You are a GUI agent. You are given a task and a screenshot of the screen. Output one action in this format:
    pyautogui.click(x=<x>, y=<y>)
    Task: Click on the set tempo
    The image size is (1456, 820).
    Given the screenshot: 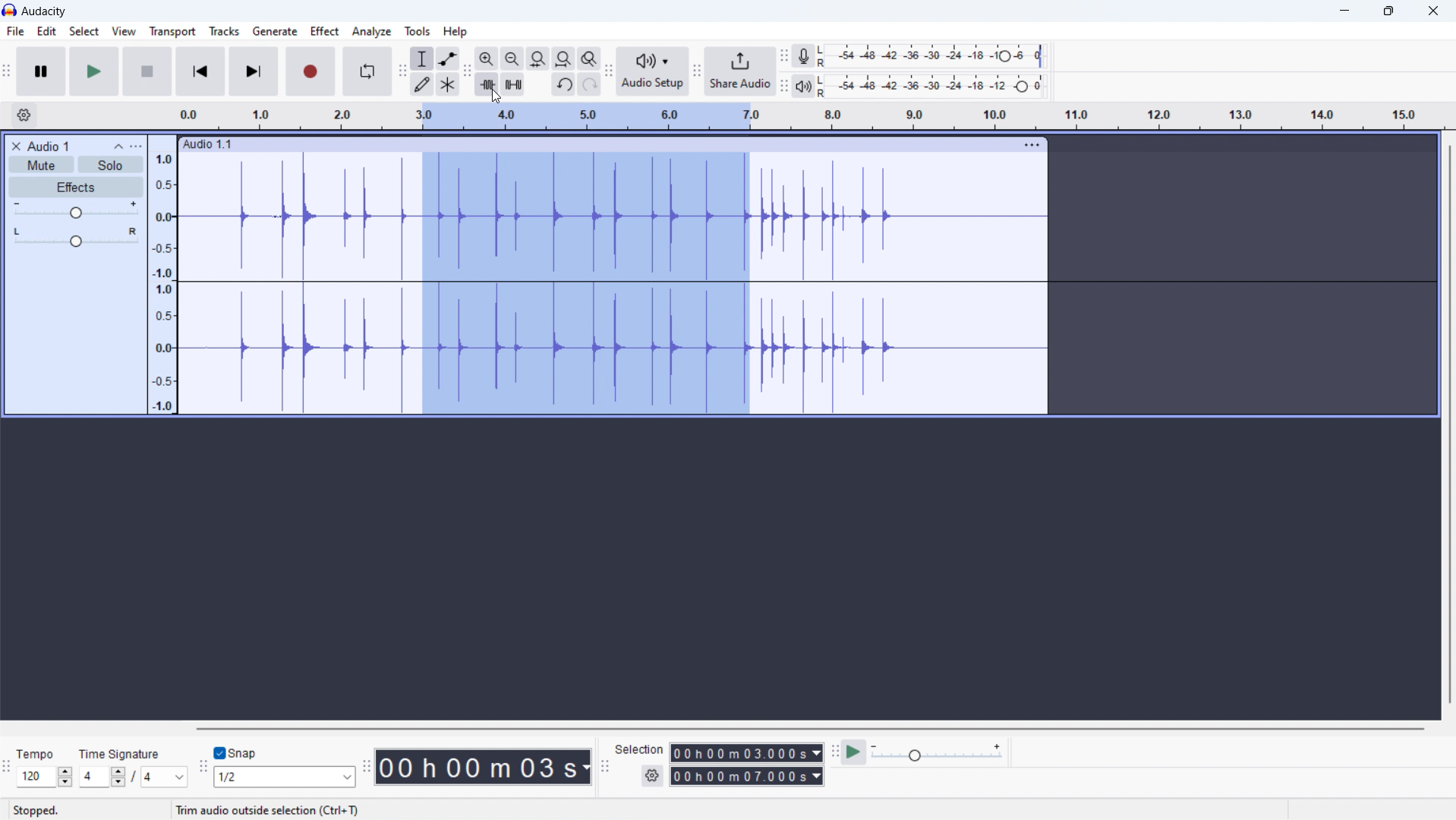 What is the action you would take?
    pyautogui.click(x=45, y=777)
    